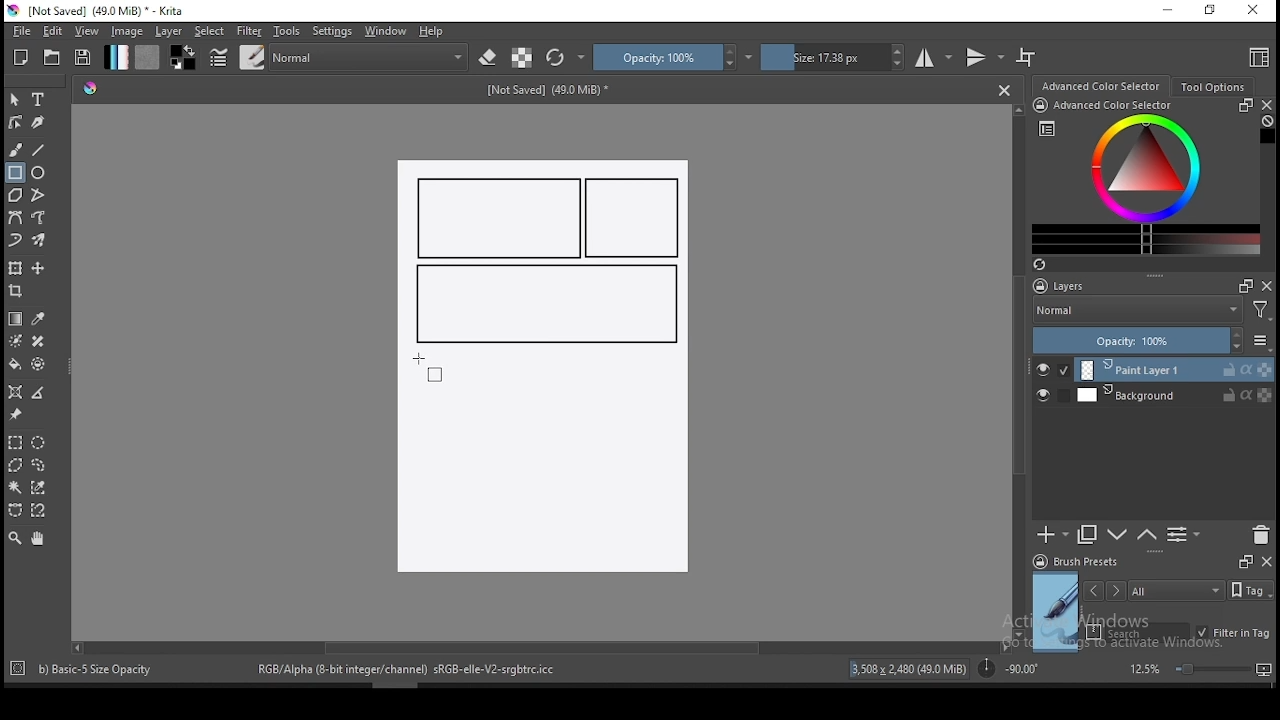 The width and height of the screenshot is (1280, 720). What do you see at coordinates (1147, 535) in the screenshot?
I see `move layer one step down` at bounding box center [1147, 535].